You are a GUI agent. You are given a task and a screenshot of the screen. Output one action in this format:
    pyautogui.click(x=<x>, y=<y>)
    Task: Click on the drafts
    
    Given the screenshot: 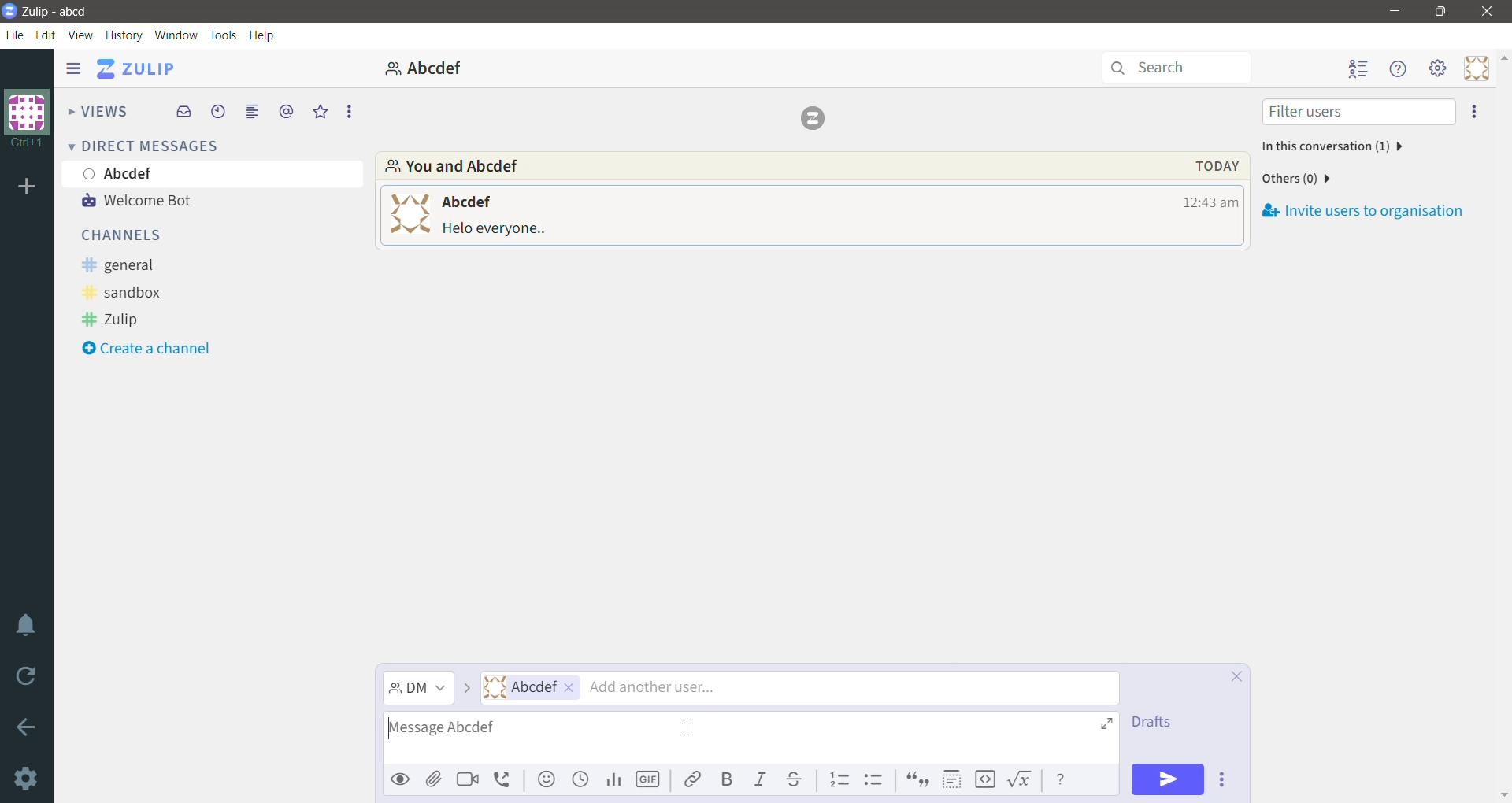 What is the action you would take?
    pyautogui.click(x=1157, y=726)
    